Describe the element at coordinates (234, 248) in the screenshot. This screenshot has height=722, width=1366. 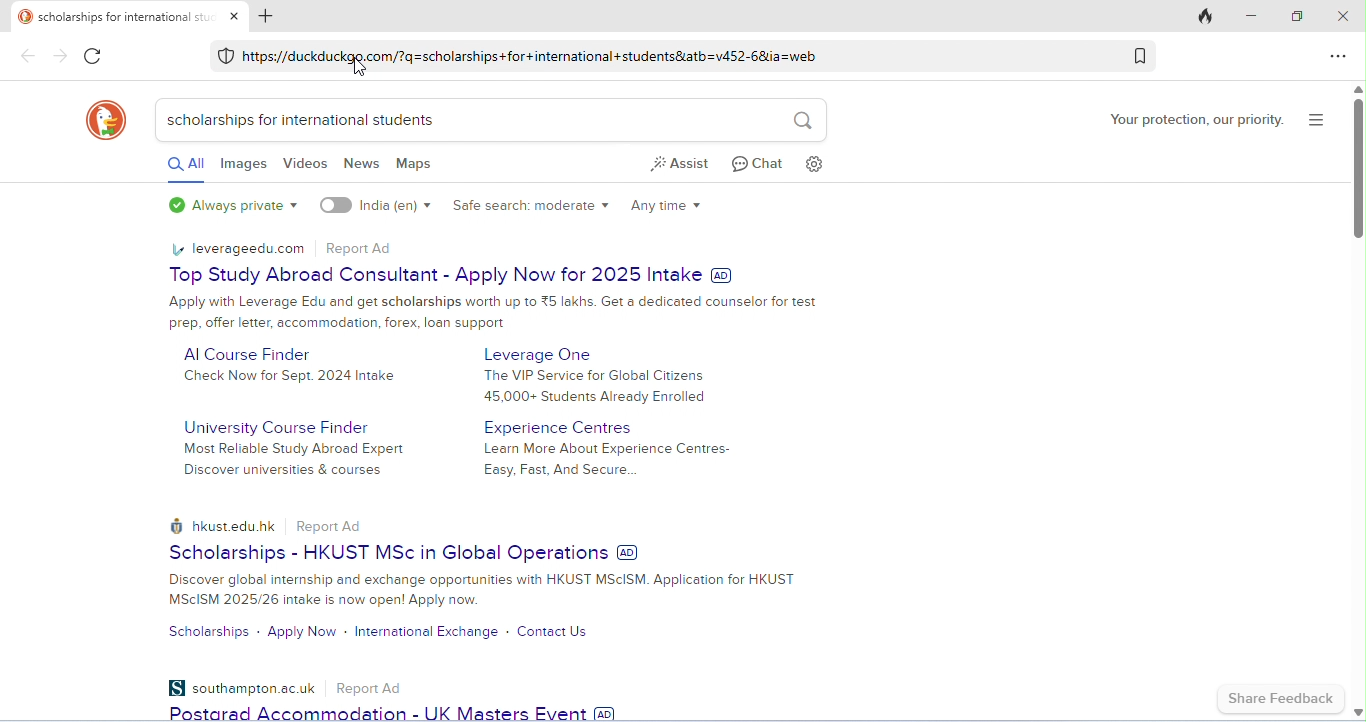
I see `leverageedu.com` at that location.